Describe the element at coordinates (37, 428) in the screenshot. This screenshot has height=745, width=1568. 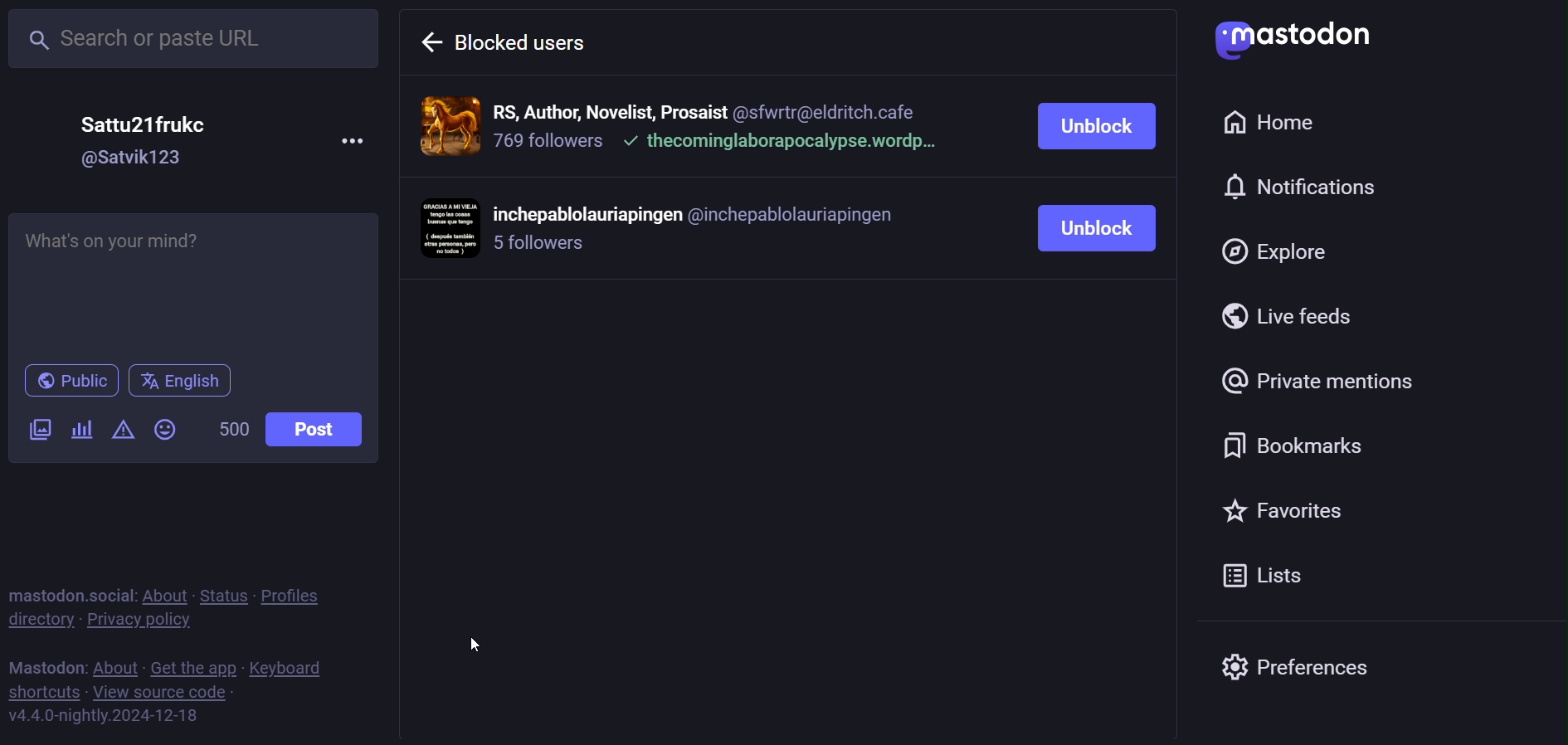
I see `add images` at that location.